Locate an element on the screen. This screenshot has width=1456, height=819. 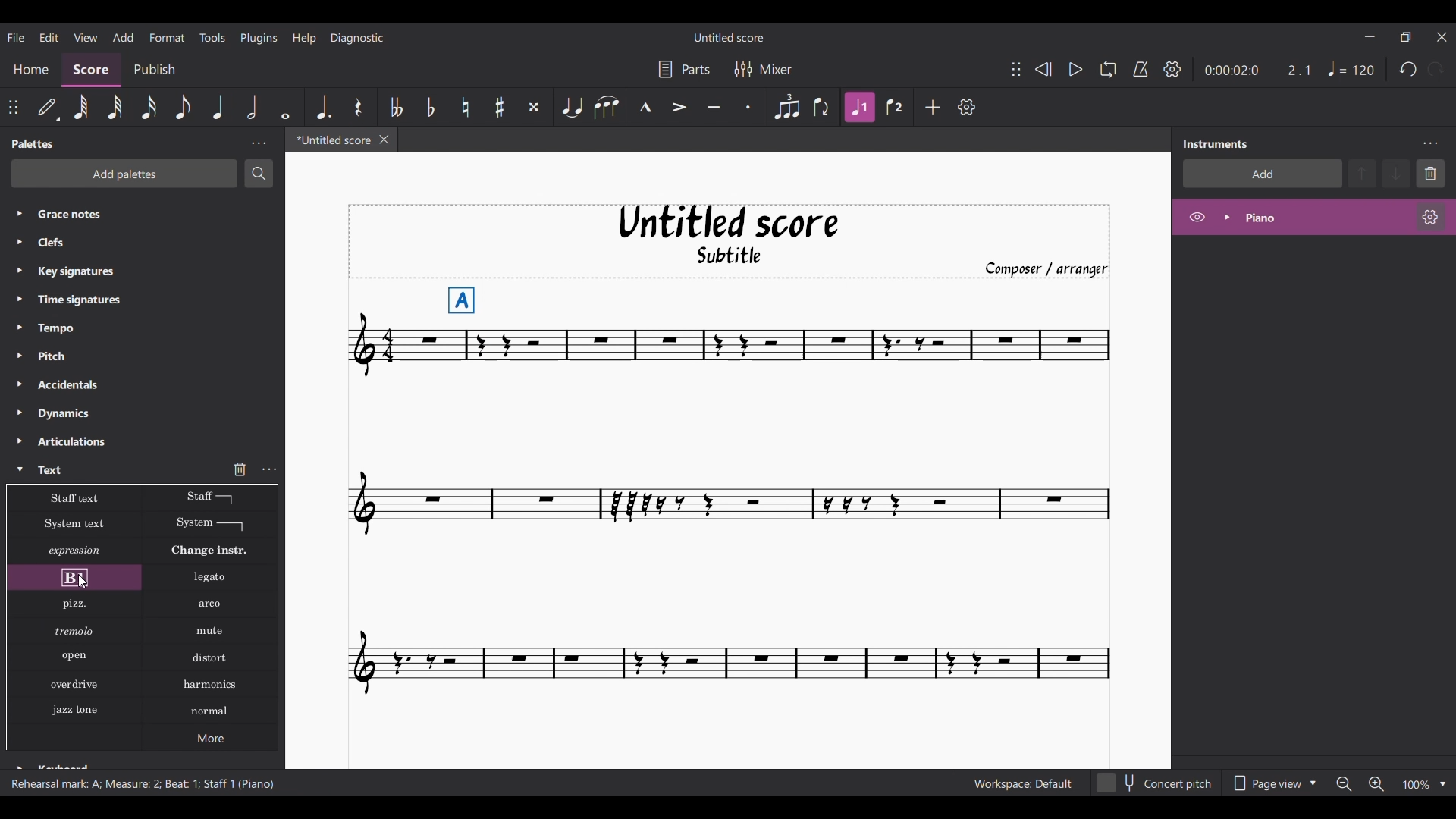
File menu is located at coordinates (16, 37).